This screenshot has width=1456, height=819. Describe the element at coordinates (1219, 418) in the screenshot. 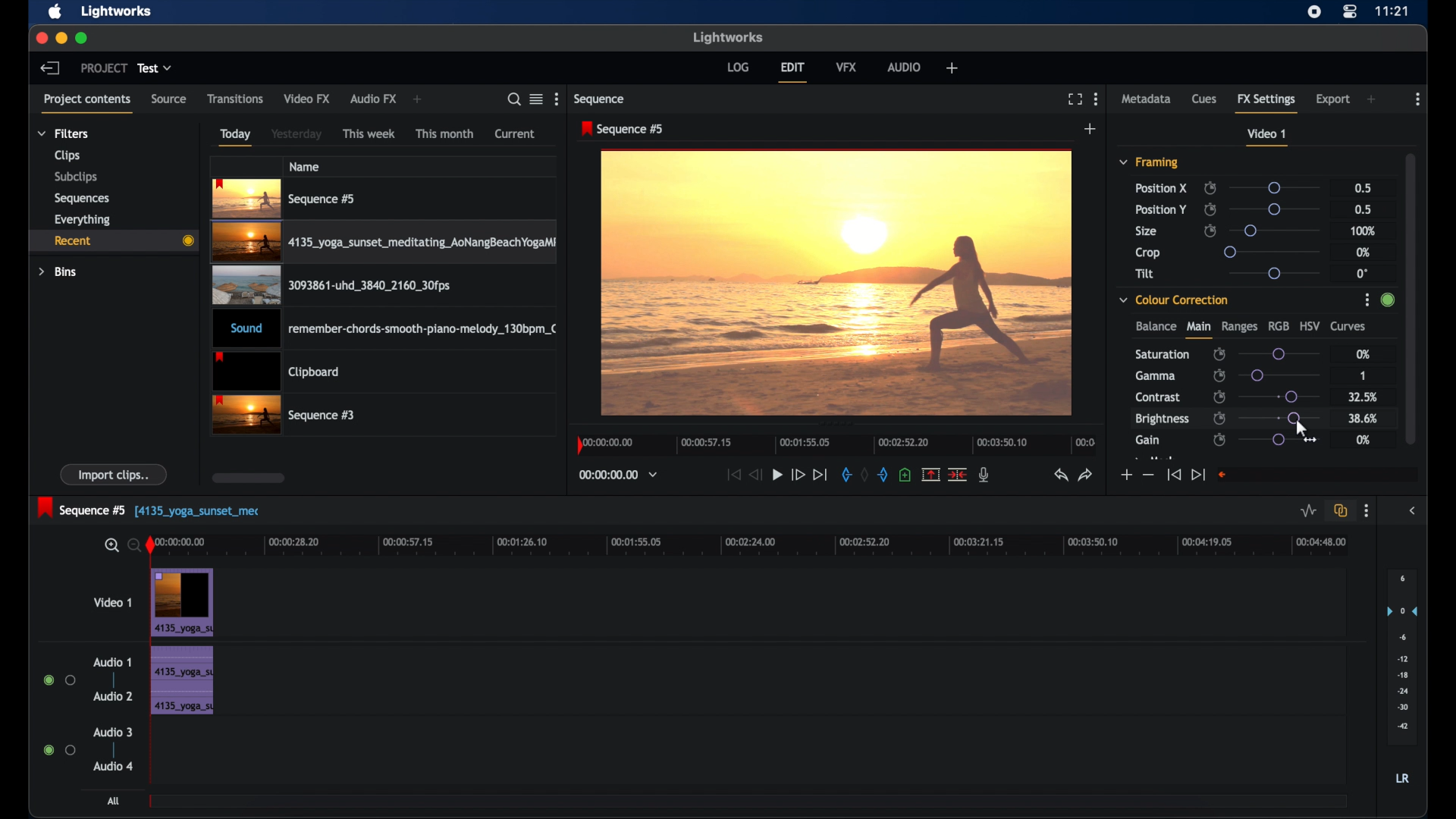

I see `enable/disable keyframes` at that location.